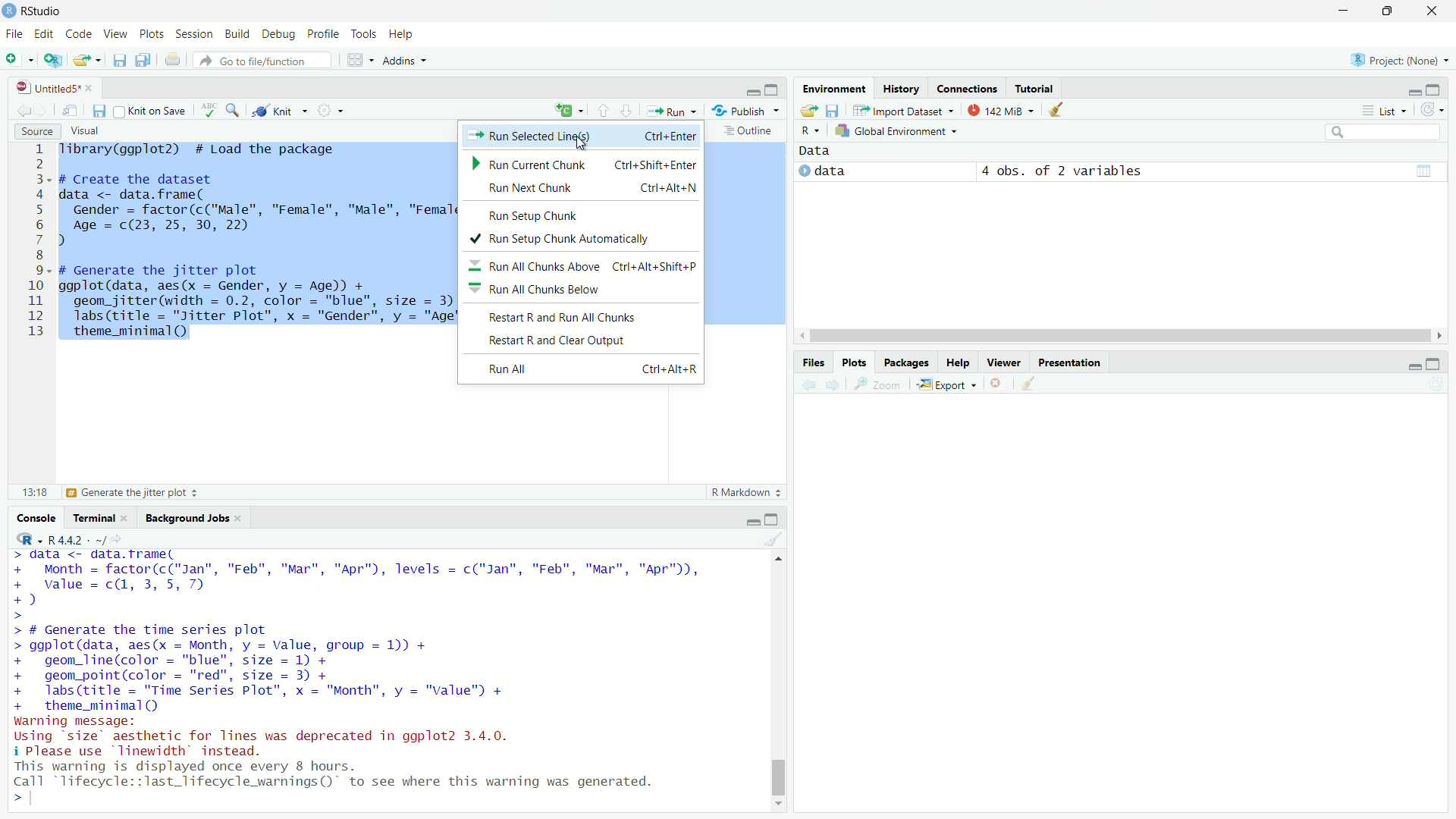  I want to click on print the file, so click(171, 59).